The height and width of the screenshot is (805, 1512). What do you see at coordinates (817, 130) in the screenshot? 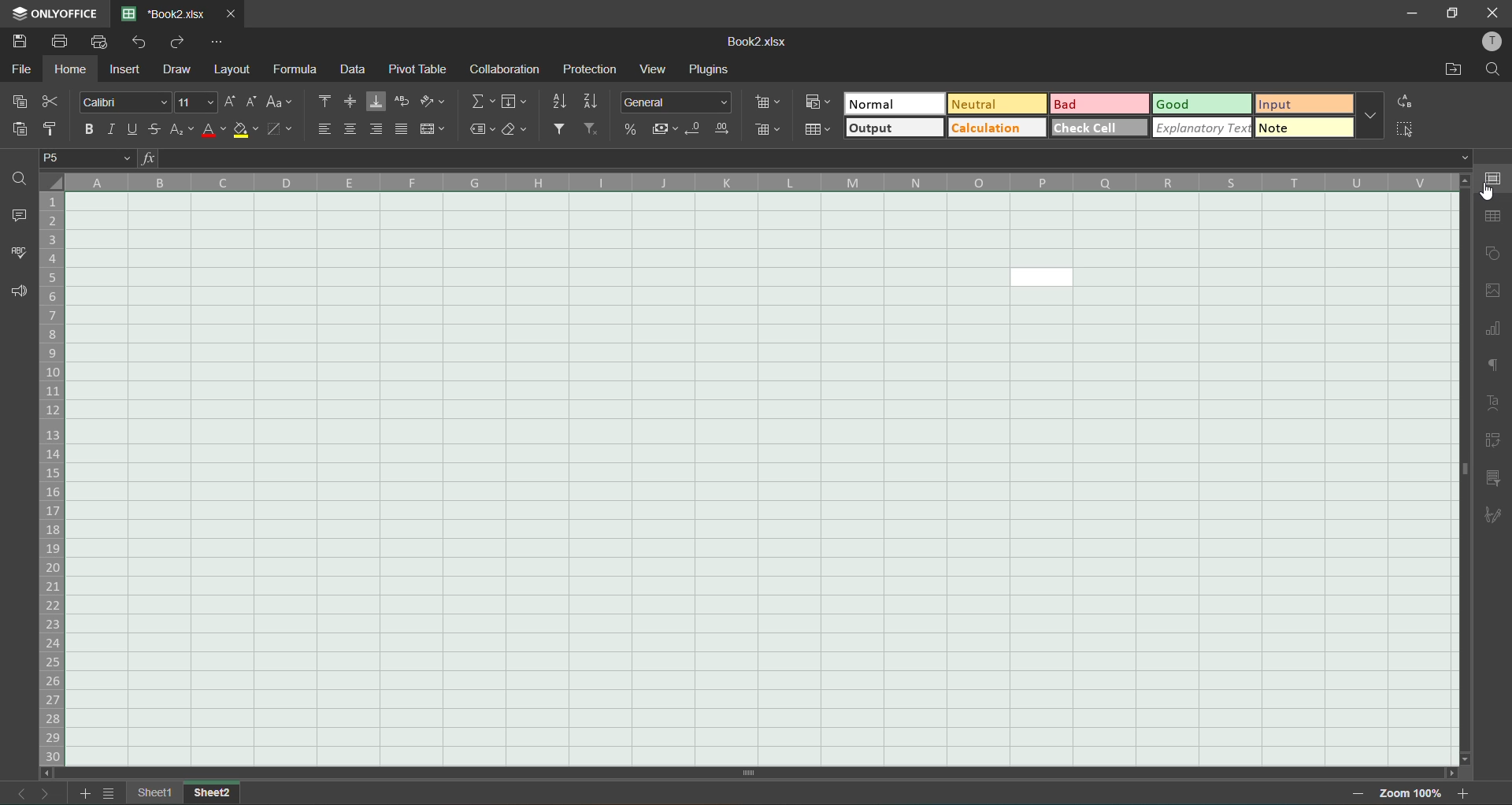
I see `format as table` at bounding box center [817, 130].